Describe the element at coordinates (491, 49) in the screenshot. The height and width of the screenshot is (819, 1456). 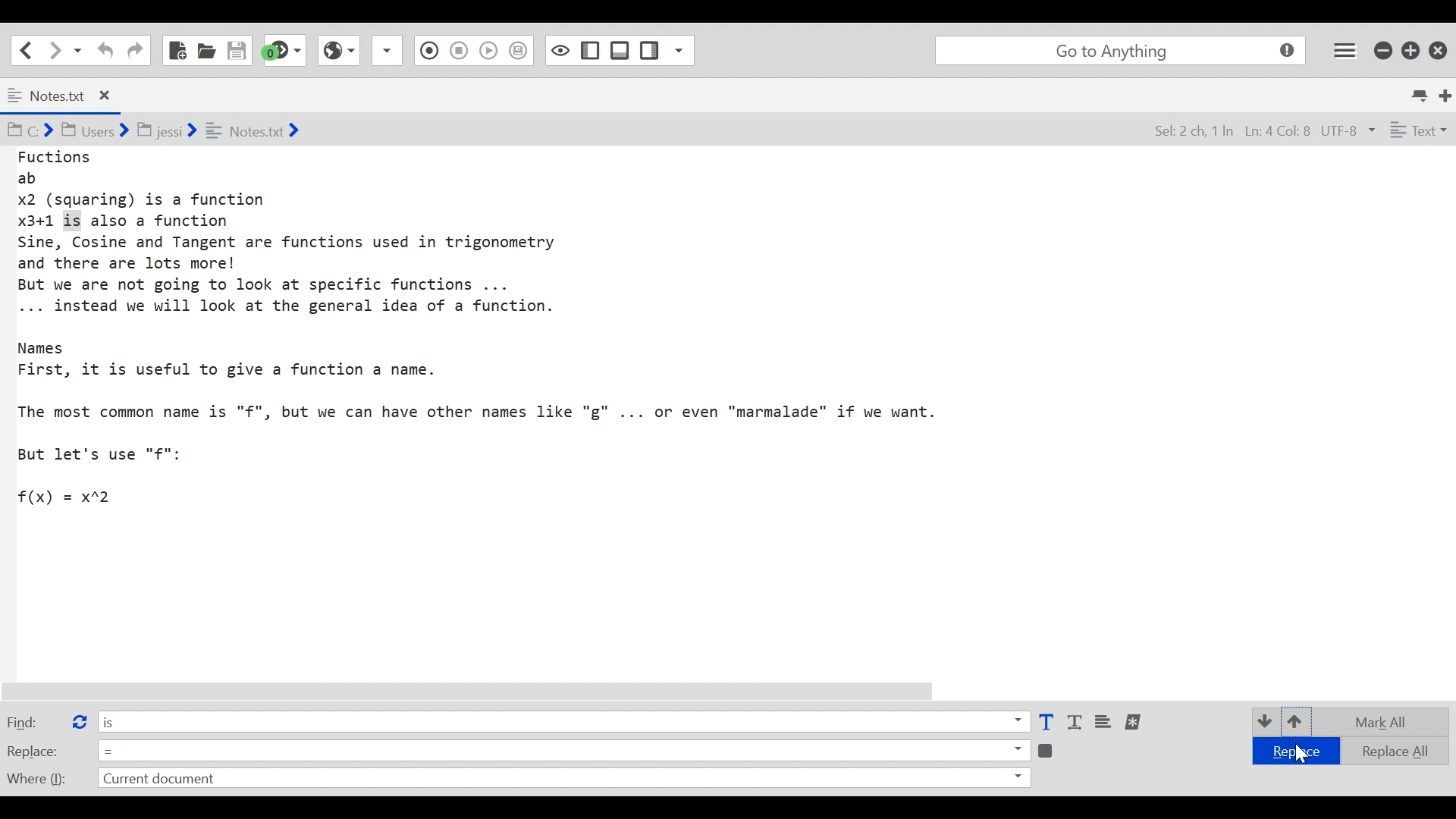
I see `Save Macro to Toolbox as Superscript` at that location.